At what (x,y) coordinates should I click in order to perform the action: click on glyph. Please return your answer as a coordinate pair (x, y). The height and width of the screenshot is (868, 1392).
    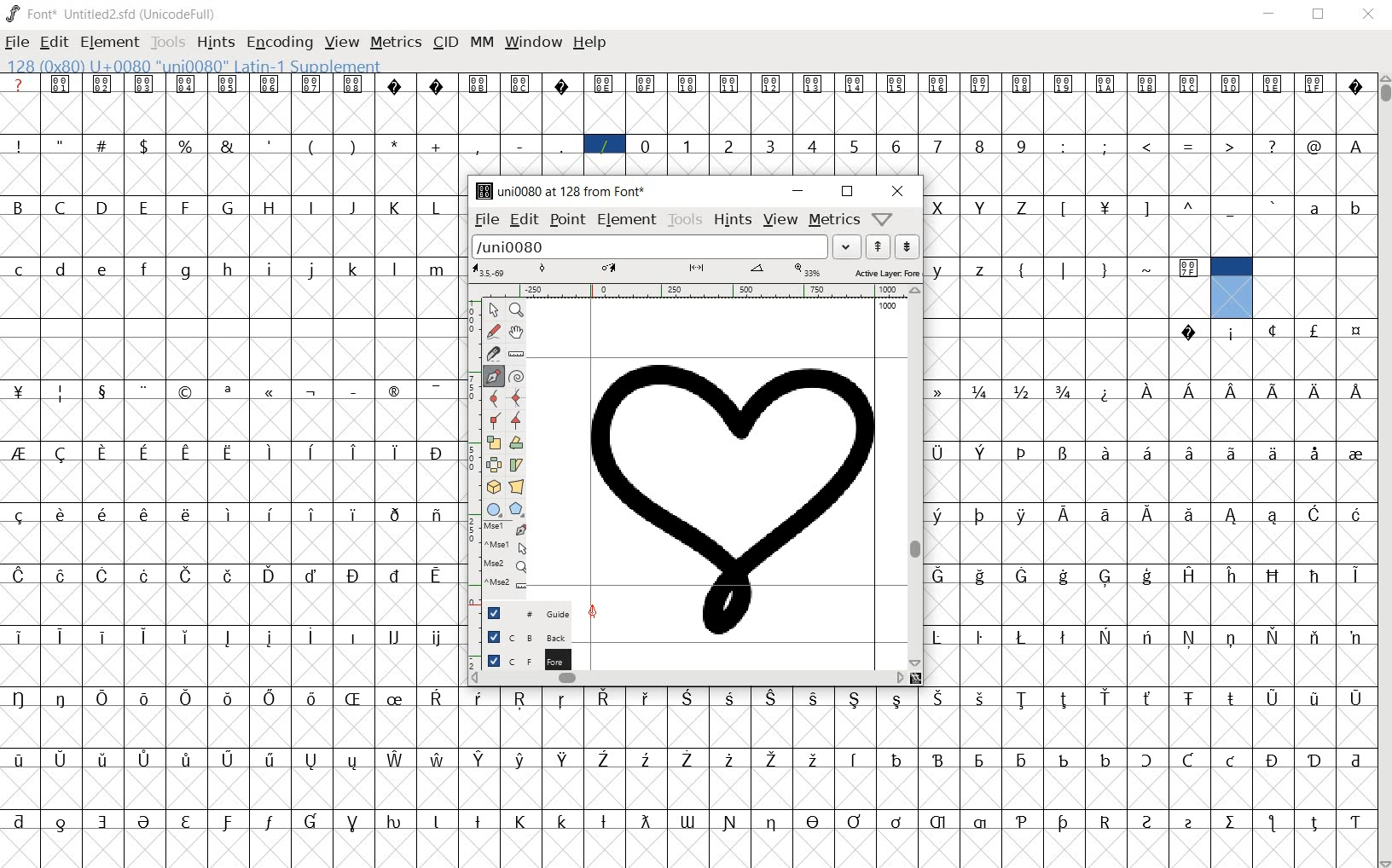
    Looking at the image, I should click on (937, 391).